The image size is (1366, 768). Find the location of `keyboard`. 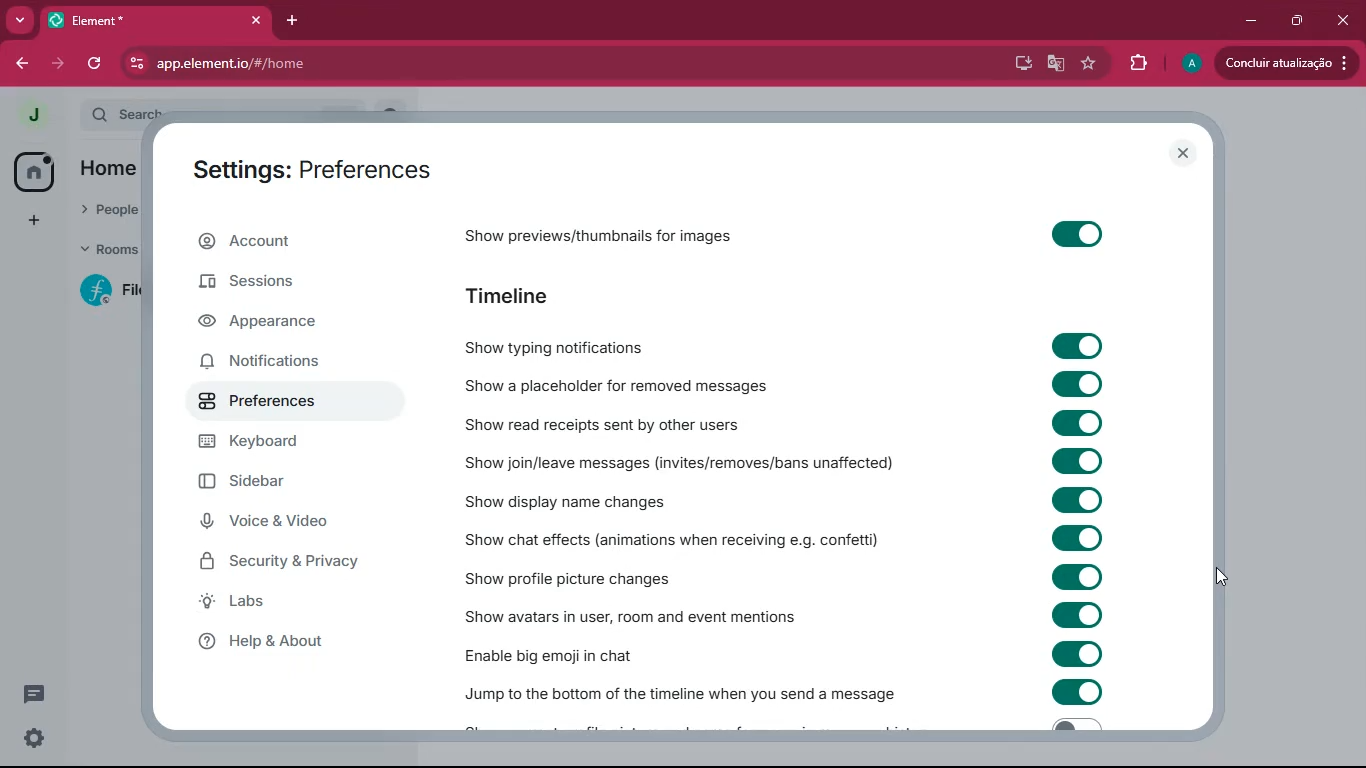

keyboard is located at coordinates (277, 445).